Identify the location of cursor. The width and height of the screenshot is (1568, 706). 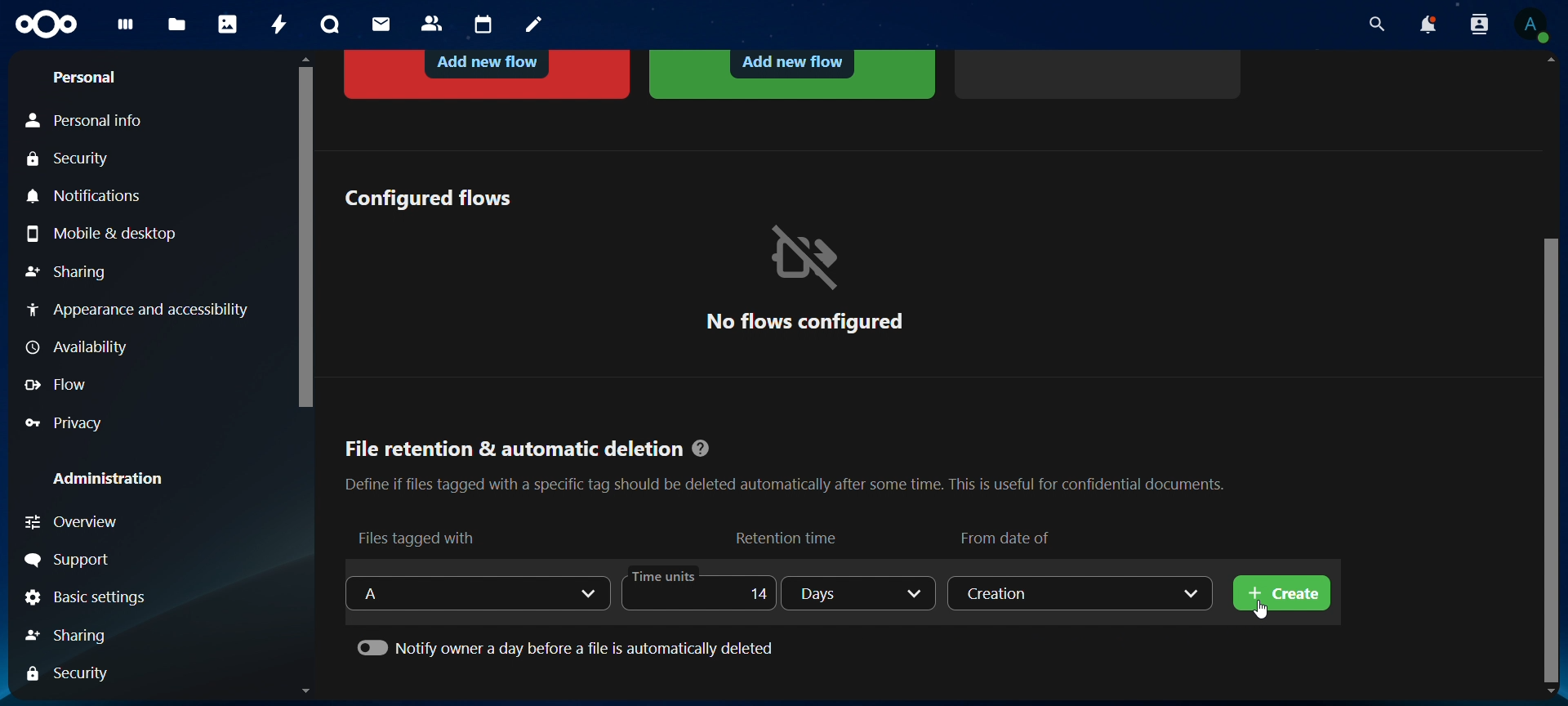
(1260, 613).